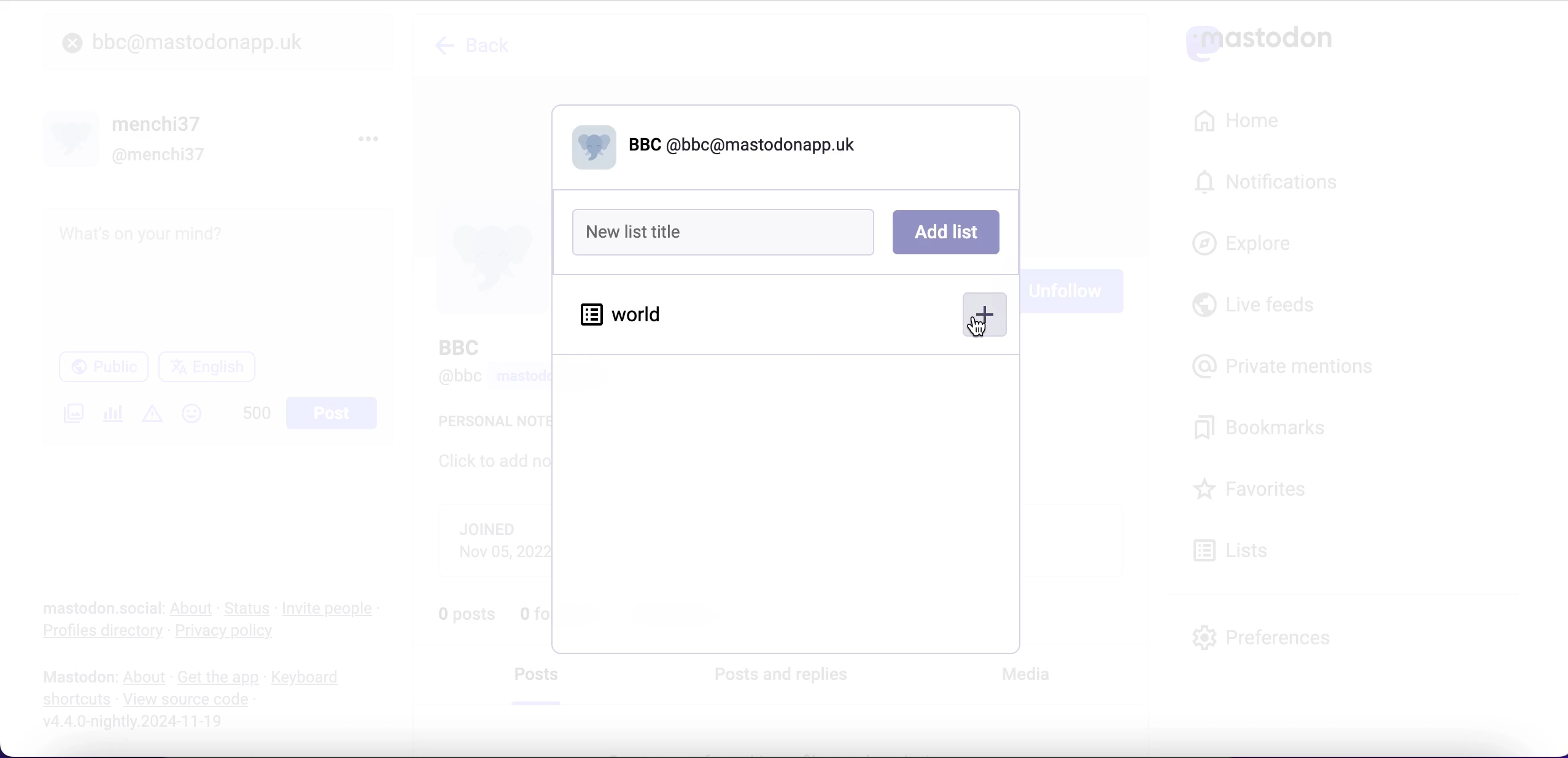 Image resolution: width=1568 pixels, height=758 pixels. What do you see at coordinates (249, 608) in the screenshot?
I see `status` at bounding box center [249, 608].